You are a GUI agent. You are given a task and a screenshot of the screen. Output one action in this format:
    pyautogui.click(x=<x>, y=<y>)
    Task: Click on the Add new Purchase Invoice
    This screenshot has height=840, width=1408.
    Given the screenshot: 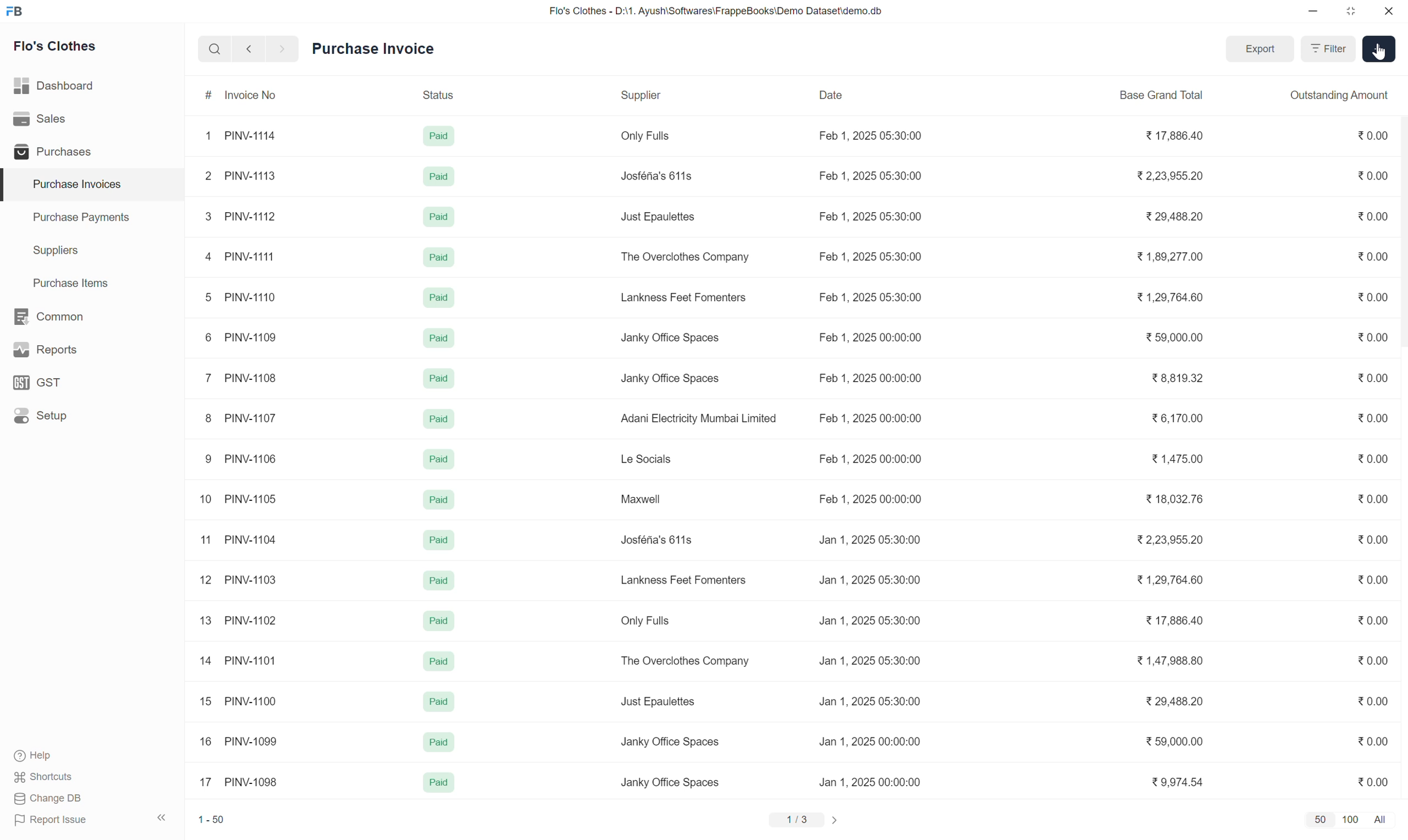 What is the action you would take?
    pyautogui.click(x=1379, y=49)
    